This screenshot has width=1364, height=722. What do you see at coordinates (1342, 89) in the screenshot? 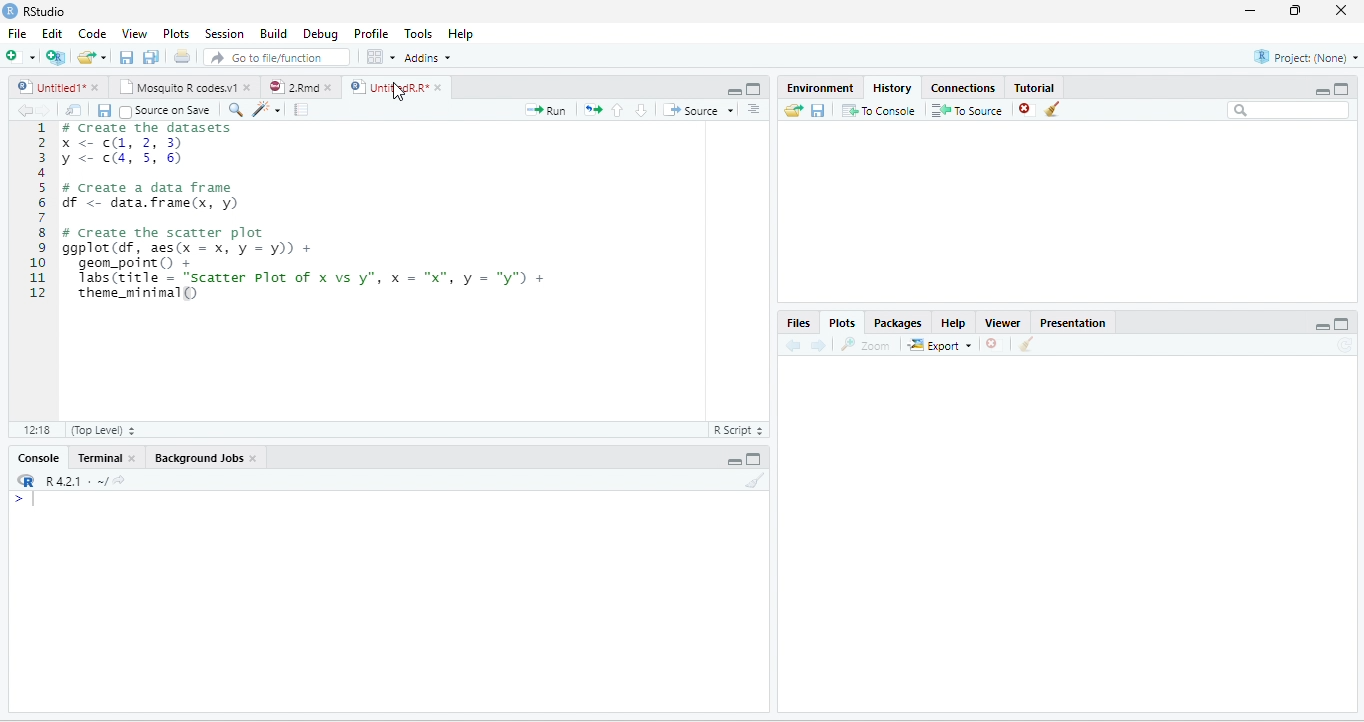
I see `Maximize` at bounding box center [1342, 89].